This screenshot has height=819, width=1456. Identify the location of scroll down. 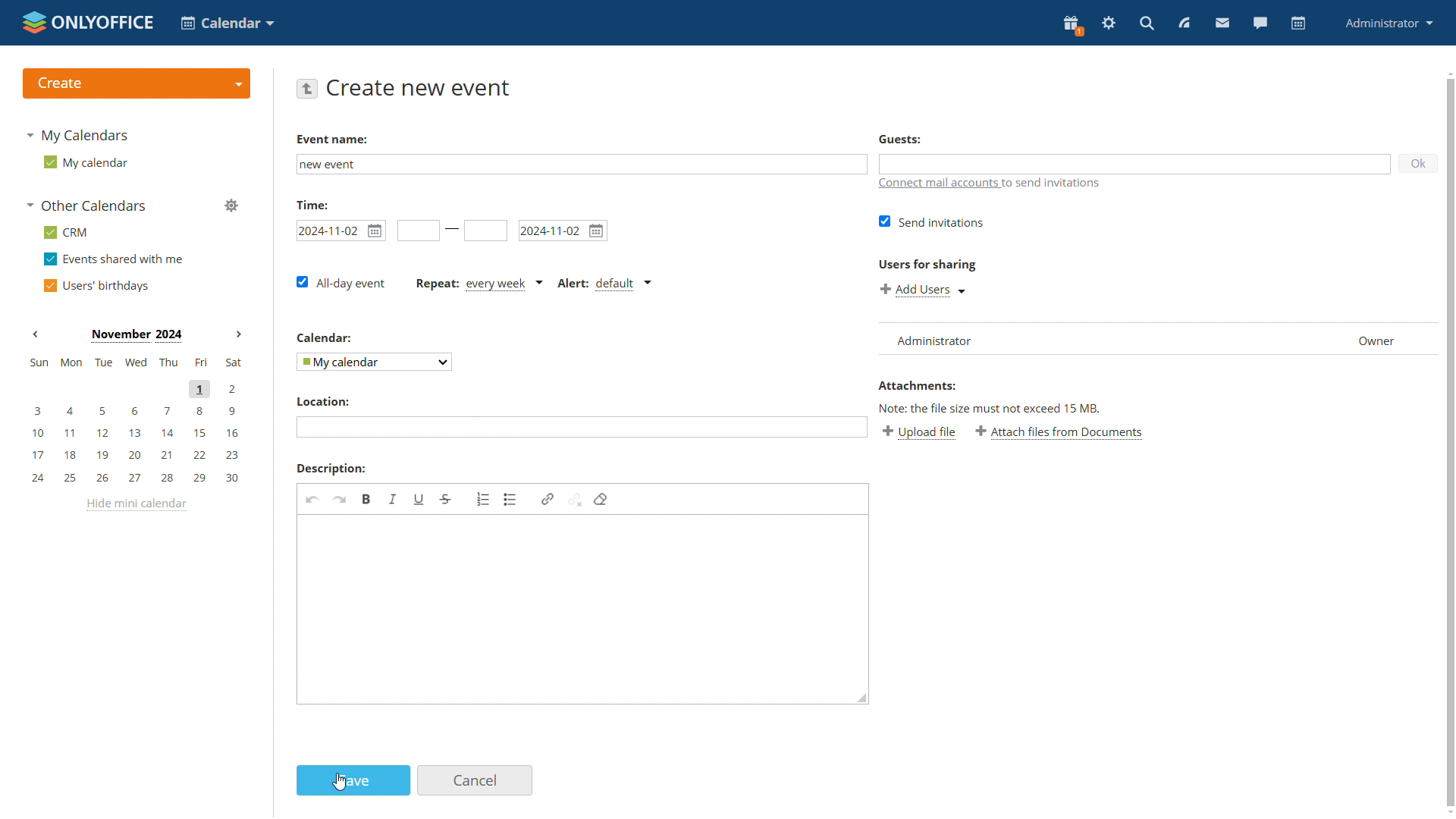
(1447, 813).